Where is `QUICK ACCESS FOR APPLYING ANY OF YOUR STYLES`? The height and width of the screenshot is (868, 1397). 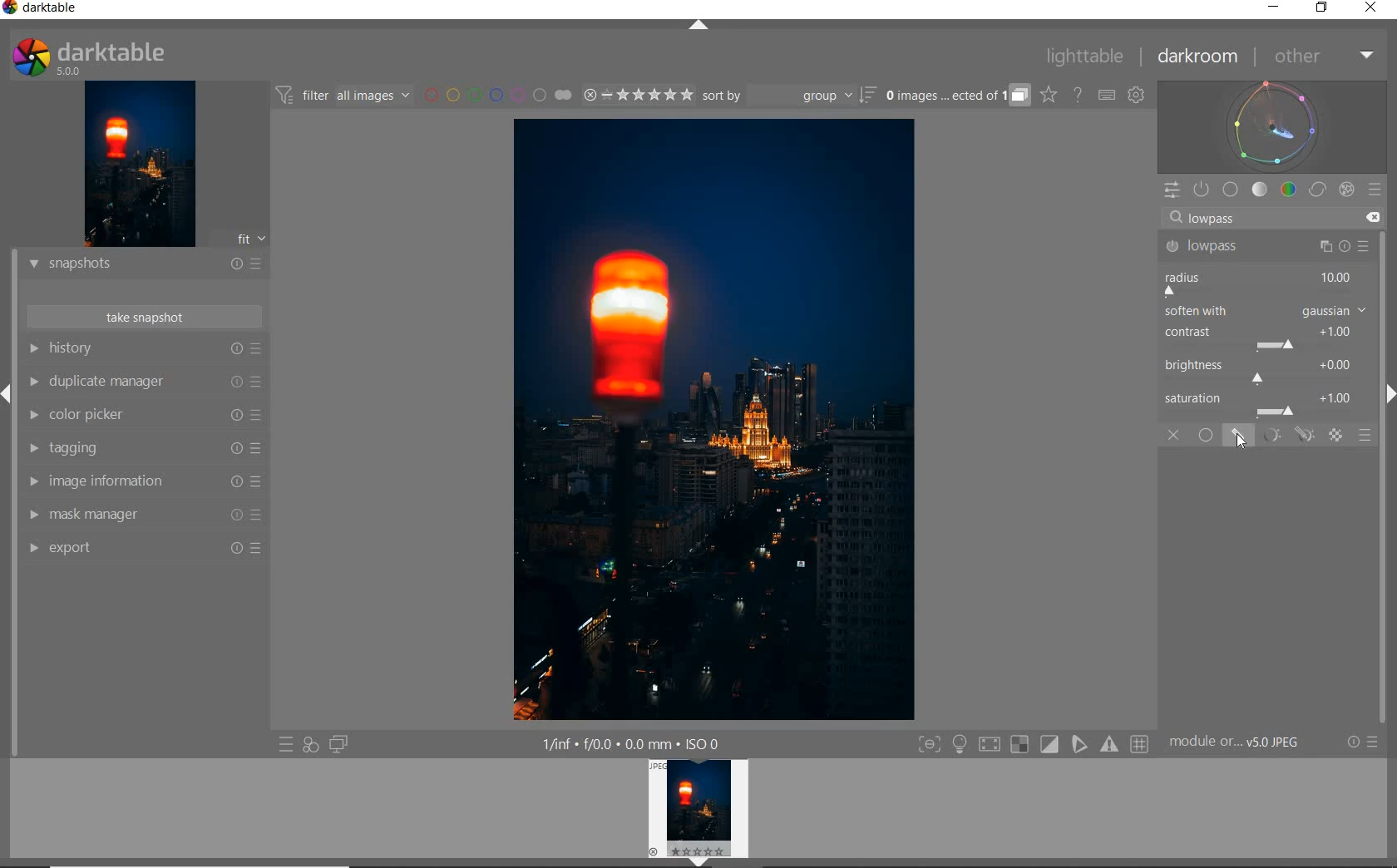 QUICK ACCESS FOR APPLYING ANY OF YOUR STYLES is located at coordinates (309, 745).